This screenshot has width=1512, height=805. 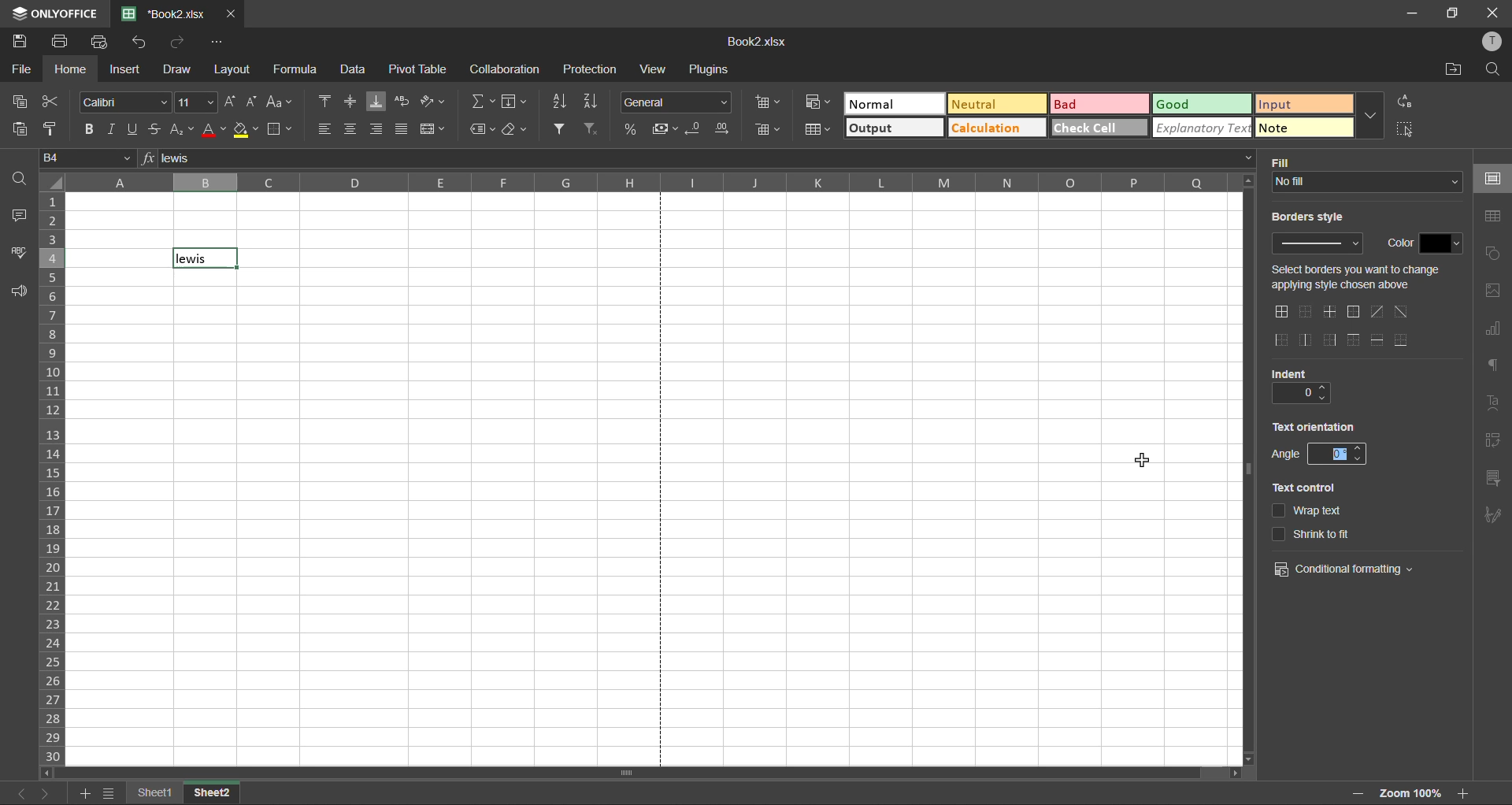 What do you see at coordinates (1406, 127) in the screenshot?
I see `select all` at bounding box center [1406, 127].